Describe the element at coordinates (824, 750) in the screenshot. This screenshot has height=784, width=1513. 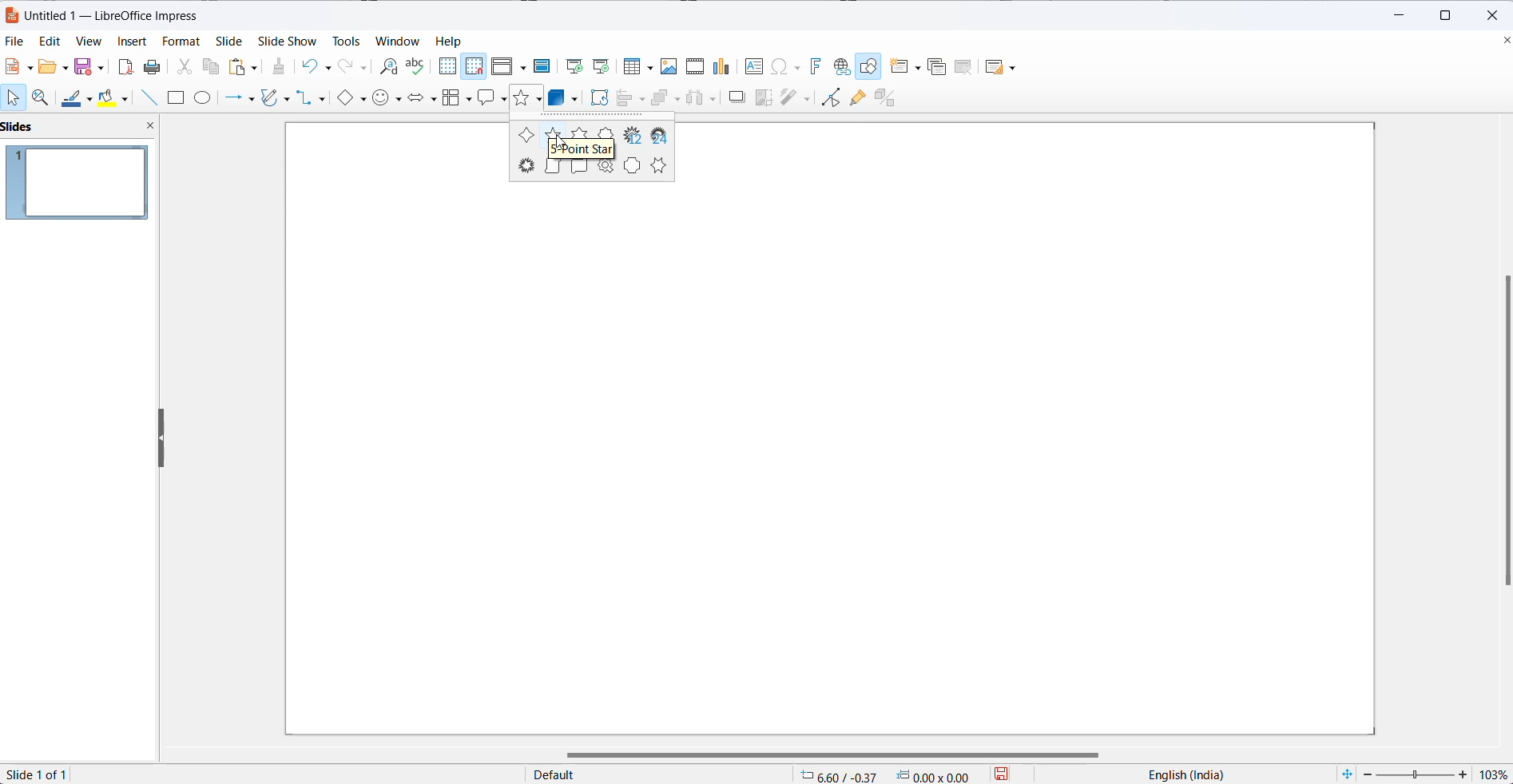
I see `scrollbar` at that location.